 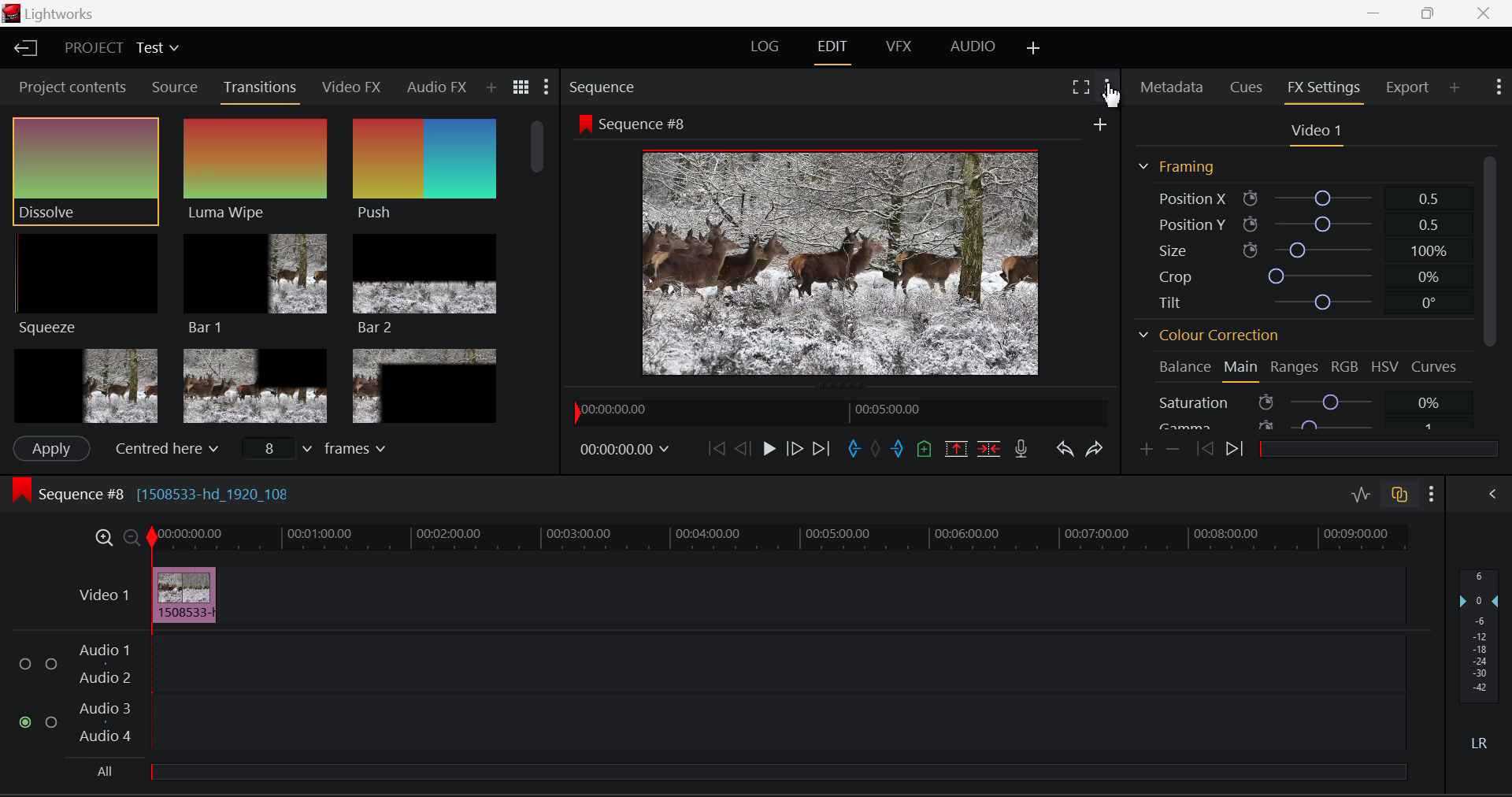 What do you see at coordinates (778, 539) in the screenshot?
I see `Timeline Track` at bounding box center [778, 539].